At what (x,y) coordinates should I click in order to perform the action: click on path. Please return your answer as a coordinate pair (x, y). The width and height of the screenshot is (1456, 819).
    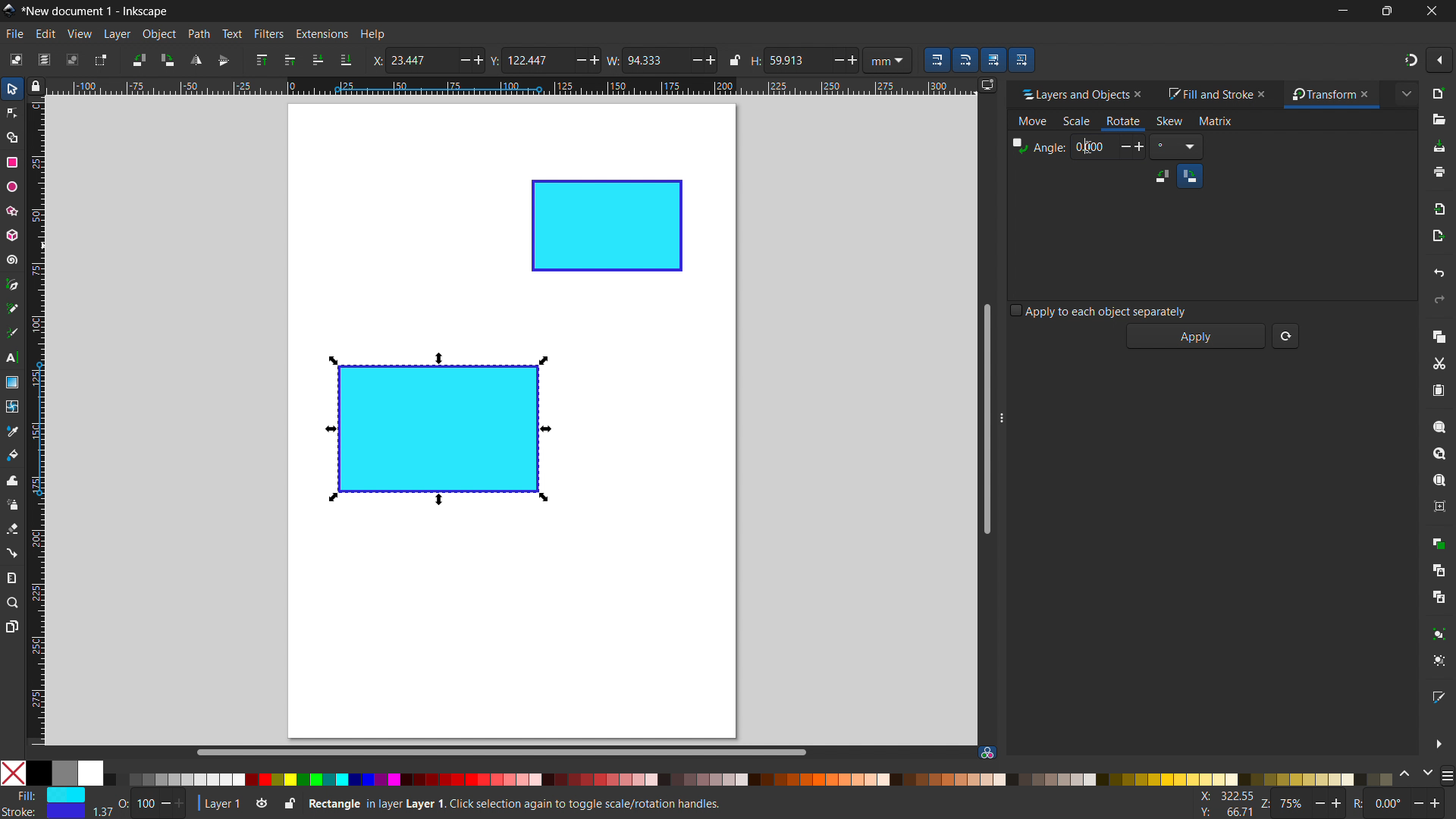
    Looking at the image, I should click on (199, 34).